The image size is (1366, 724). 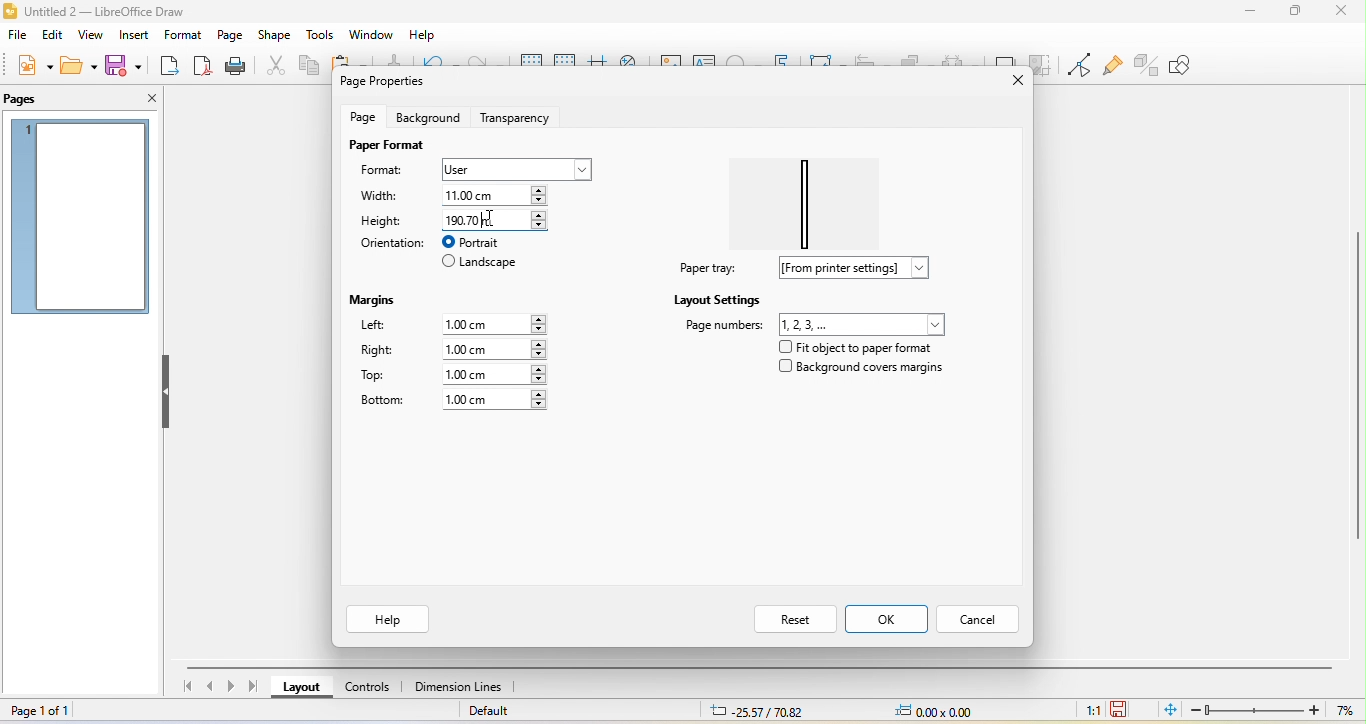 I want to click on background, so click(x=427, y=117).